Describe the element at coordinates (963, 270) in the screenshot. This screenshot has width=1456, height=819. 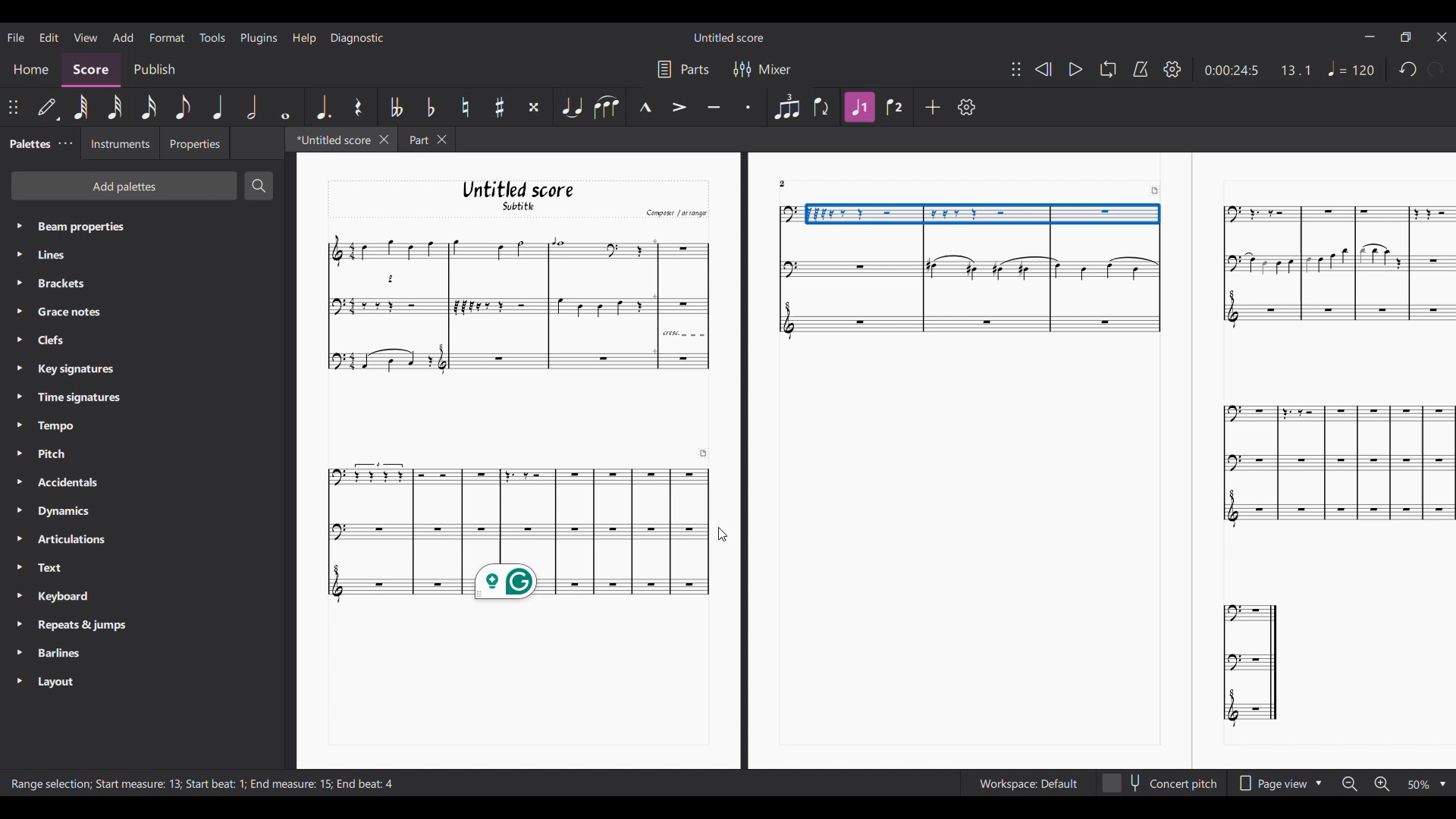
I see `Graph` at that location.